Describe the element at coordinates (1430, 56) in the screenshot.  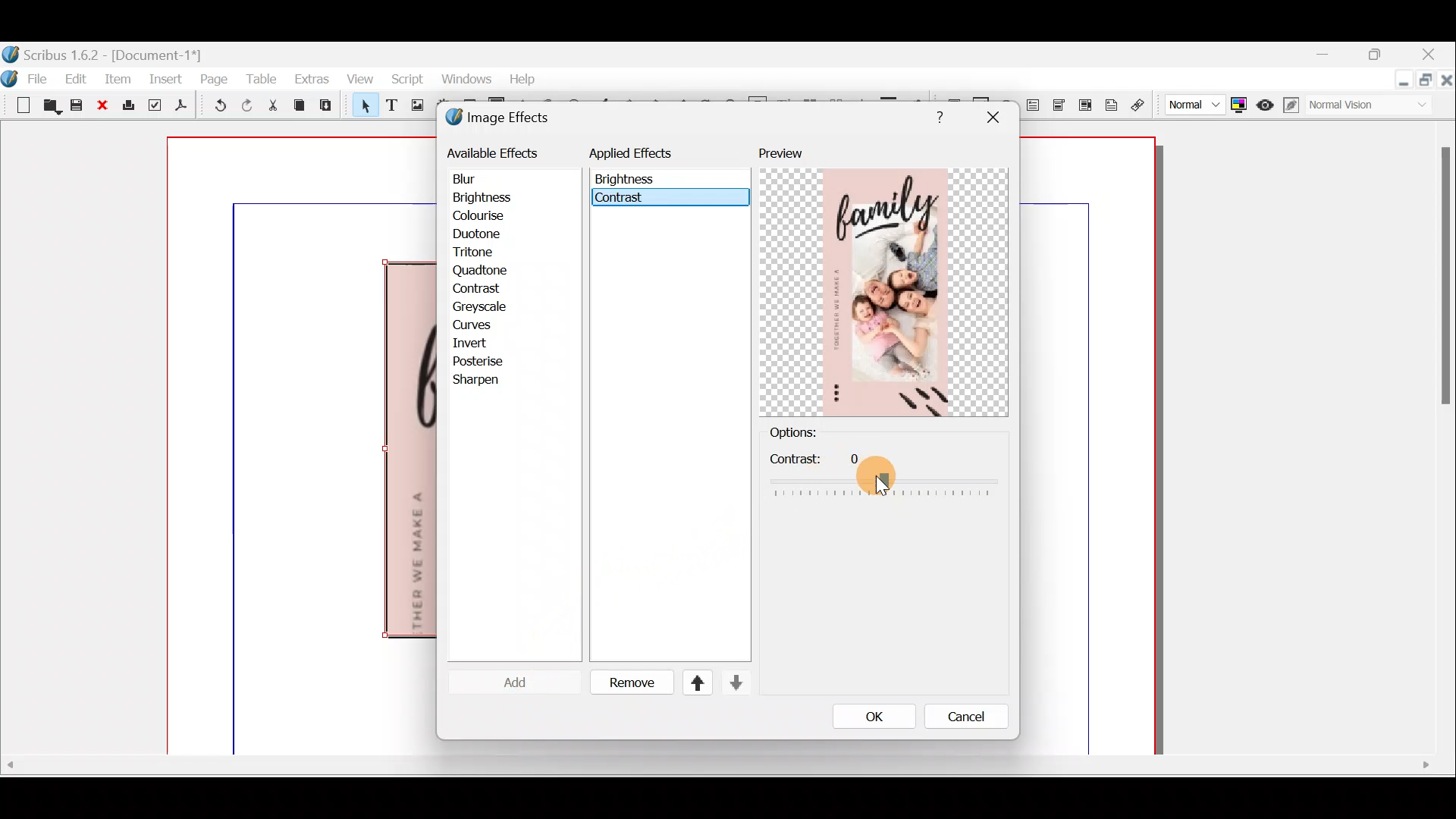
I see `Close` at that location.